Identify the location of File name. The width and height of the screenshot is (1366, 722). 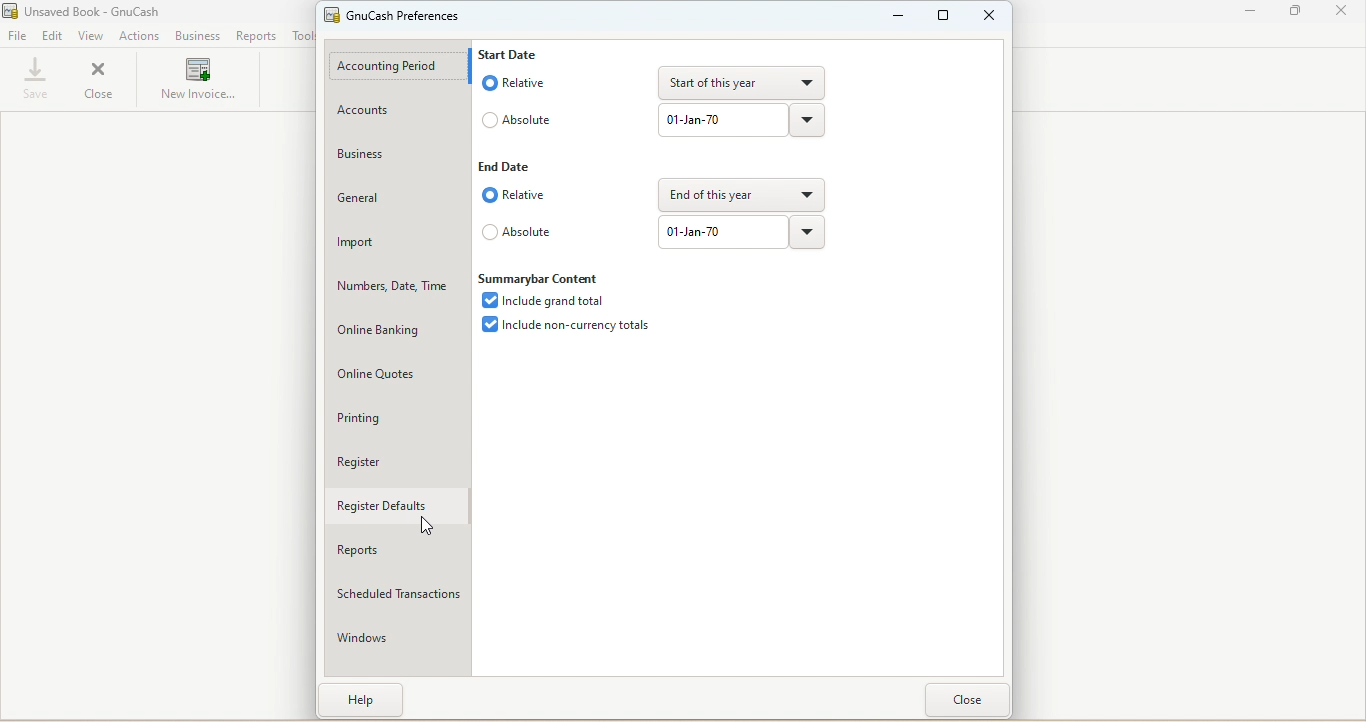
(102, 12).